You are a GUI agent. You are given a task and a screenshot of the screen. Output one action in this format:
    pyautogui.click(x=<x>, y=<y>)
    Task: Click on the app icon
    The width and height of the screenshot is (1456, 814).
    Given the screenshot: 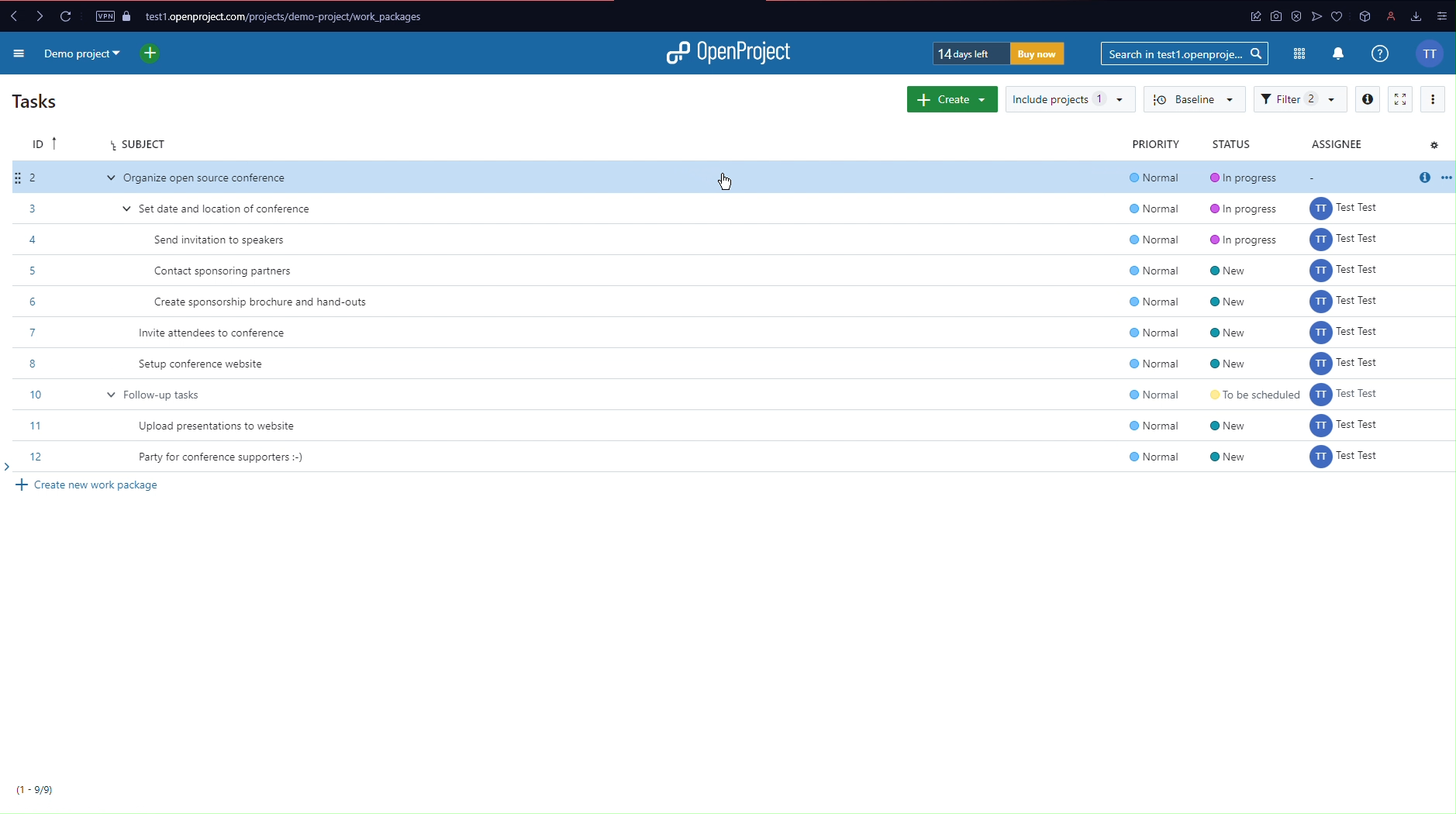 What is the action you would take?
    pyautogui.click(x=1313, y=16)
    